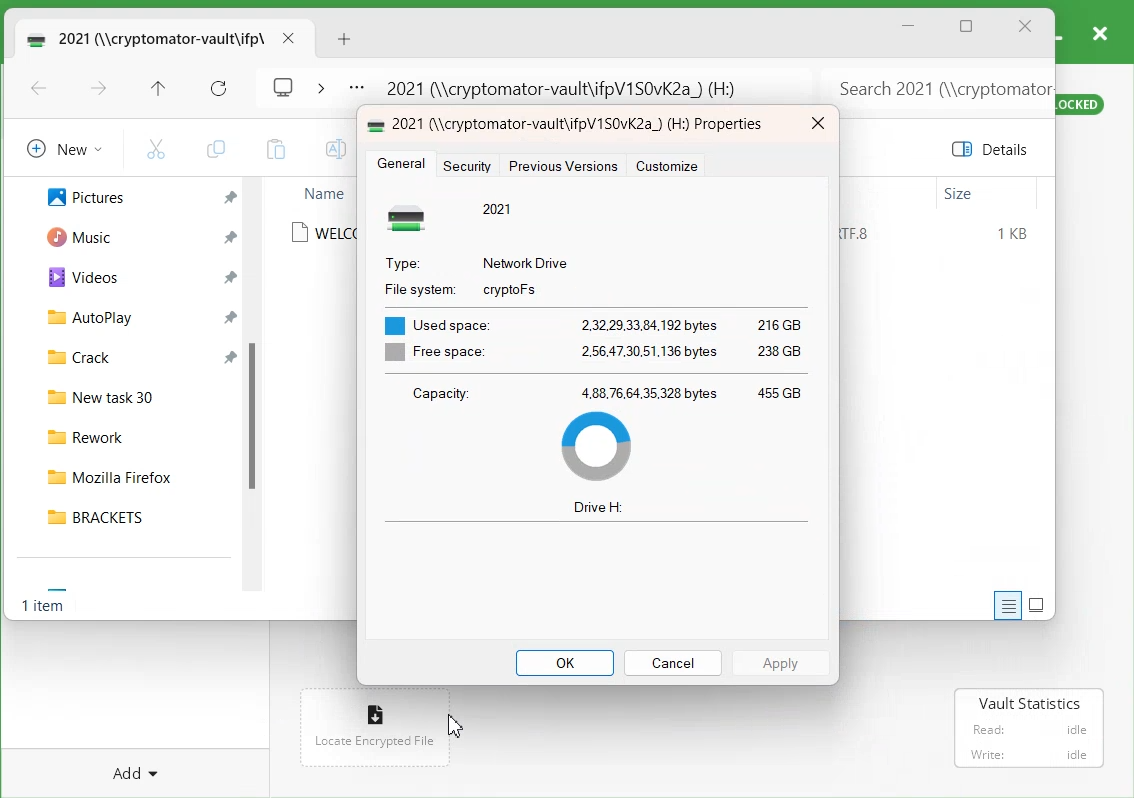  I want to click on Pin a file, so click(230, 237).